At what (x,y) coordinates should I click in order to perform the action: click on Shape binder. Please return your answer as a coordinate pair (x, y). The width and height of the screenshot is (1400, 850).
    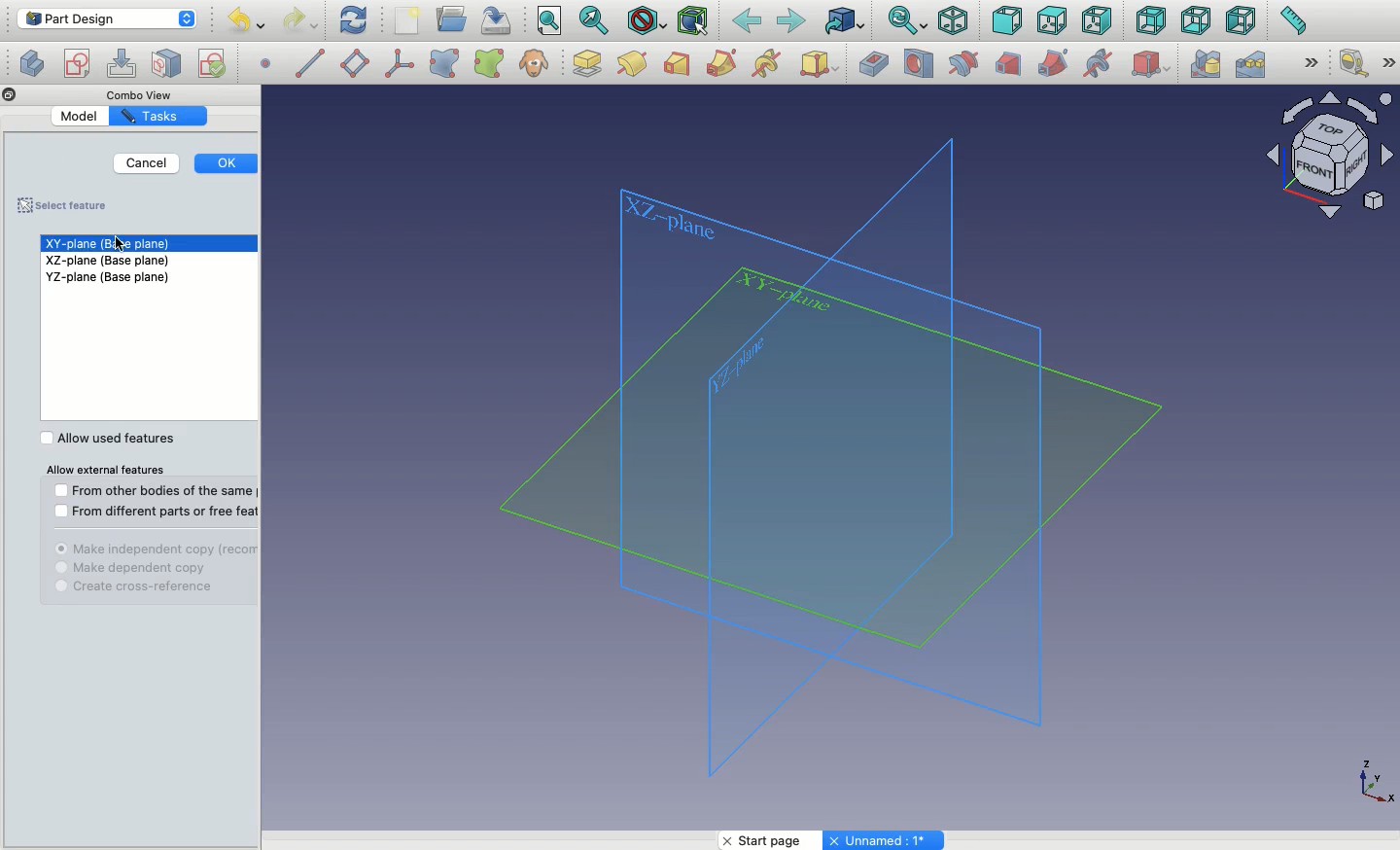
    Looking at the image, I should click on (444, 63).